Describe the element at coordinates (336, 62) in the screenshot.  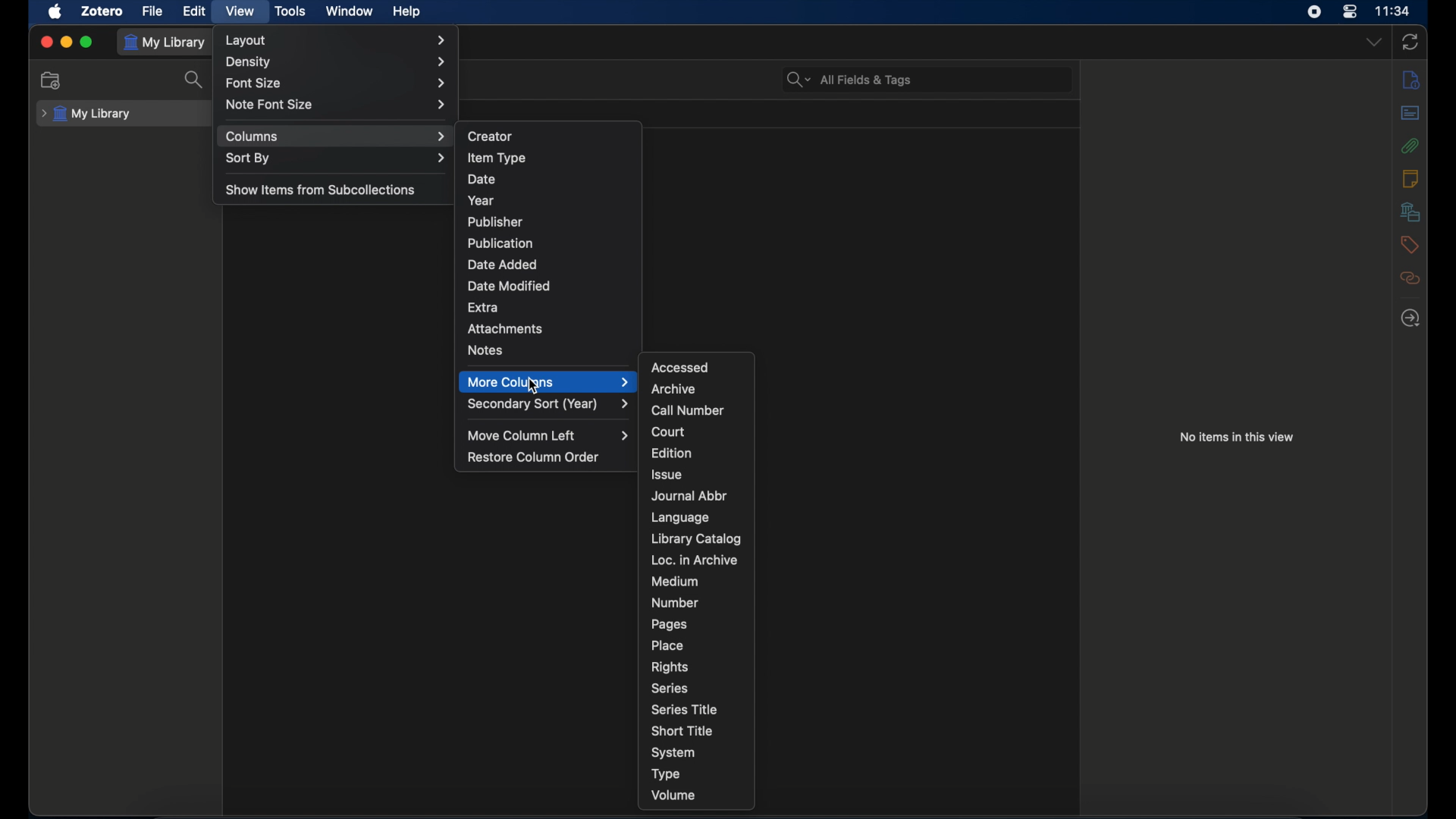
I see `density` at that location.